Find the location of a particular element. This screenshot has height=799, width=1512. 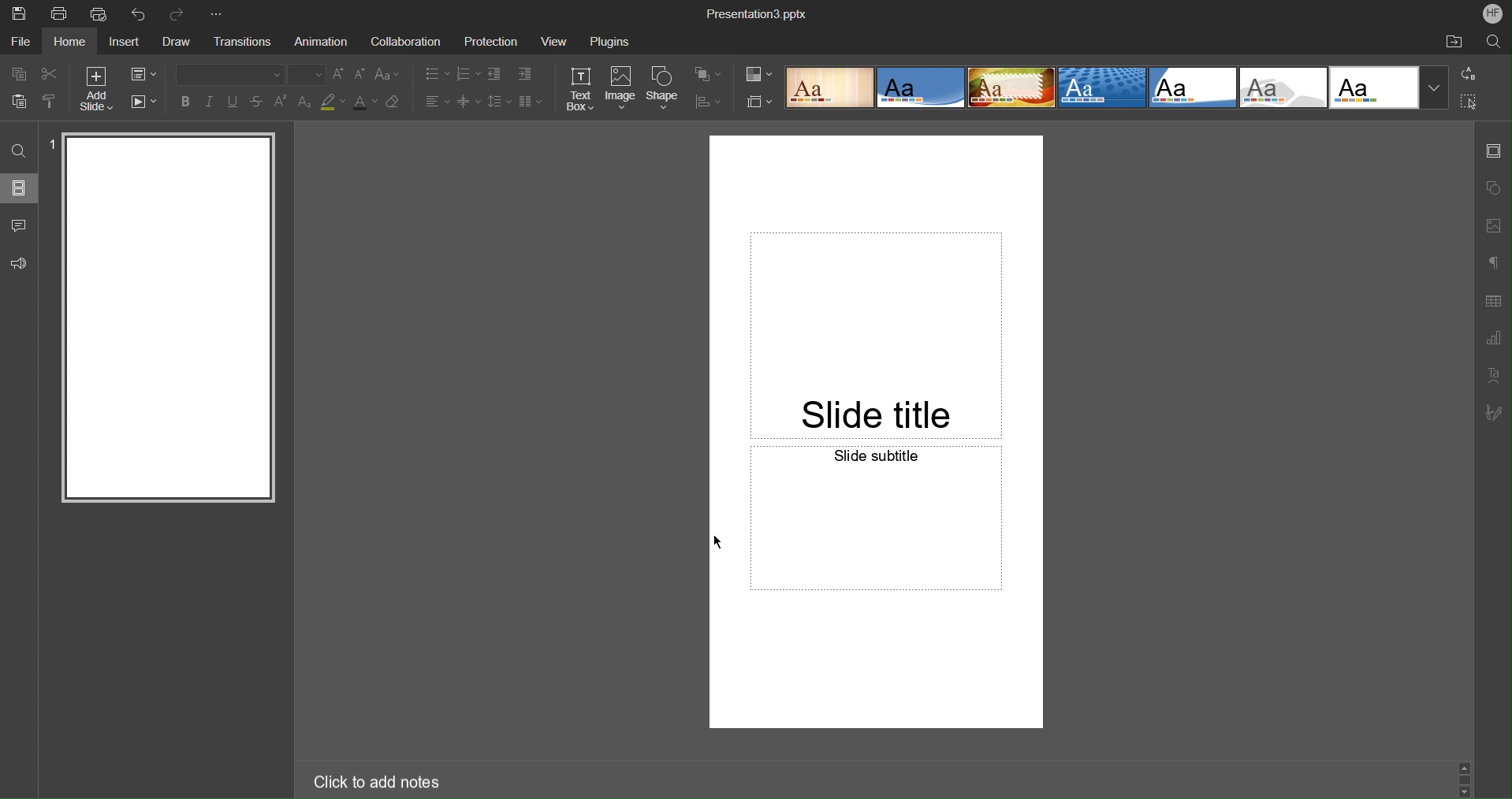

Slide subtitle is located at coordinates (876, 572).